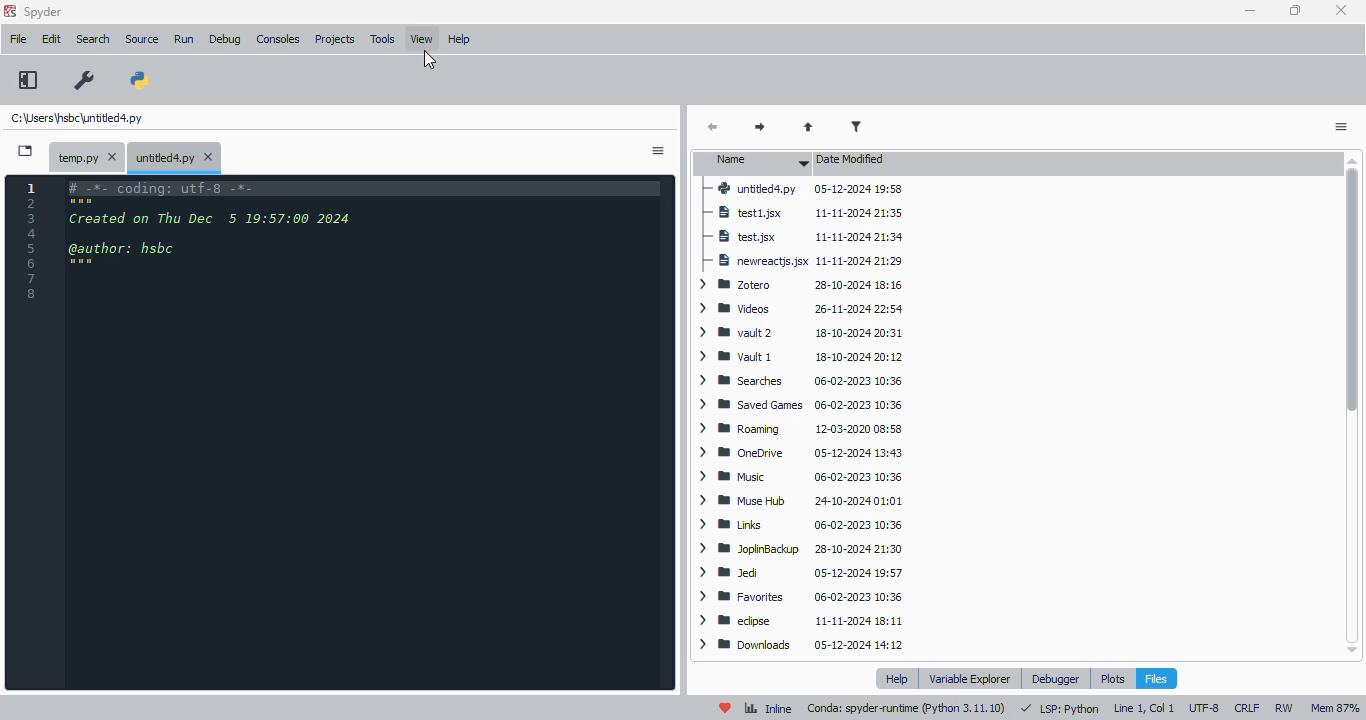 The height and width of the screenshot is (720, 1366). Describe the element at coordinates (801, 263) in the screenshot. I see `newreactjs.jsx` at that location.